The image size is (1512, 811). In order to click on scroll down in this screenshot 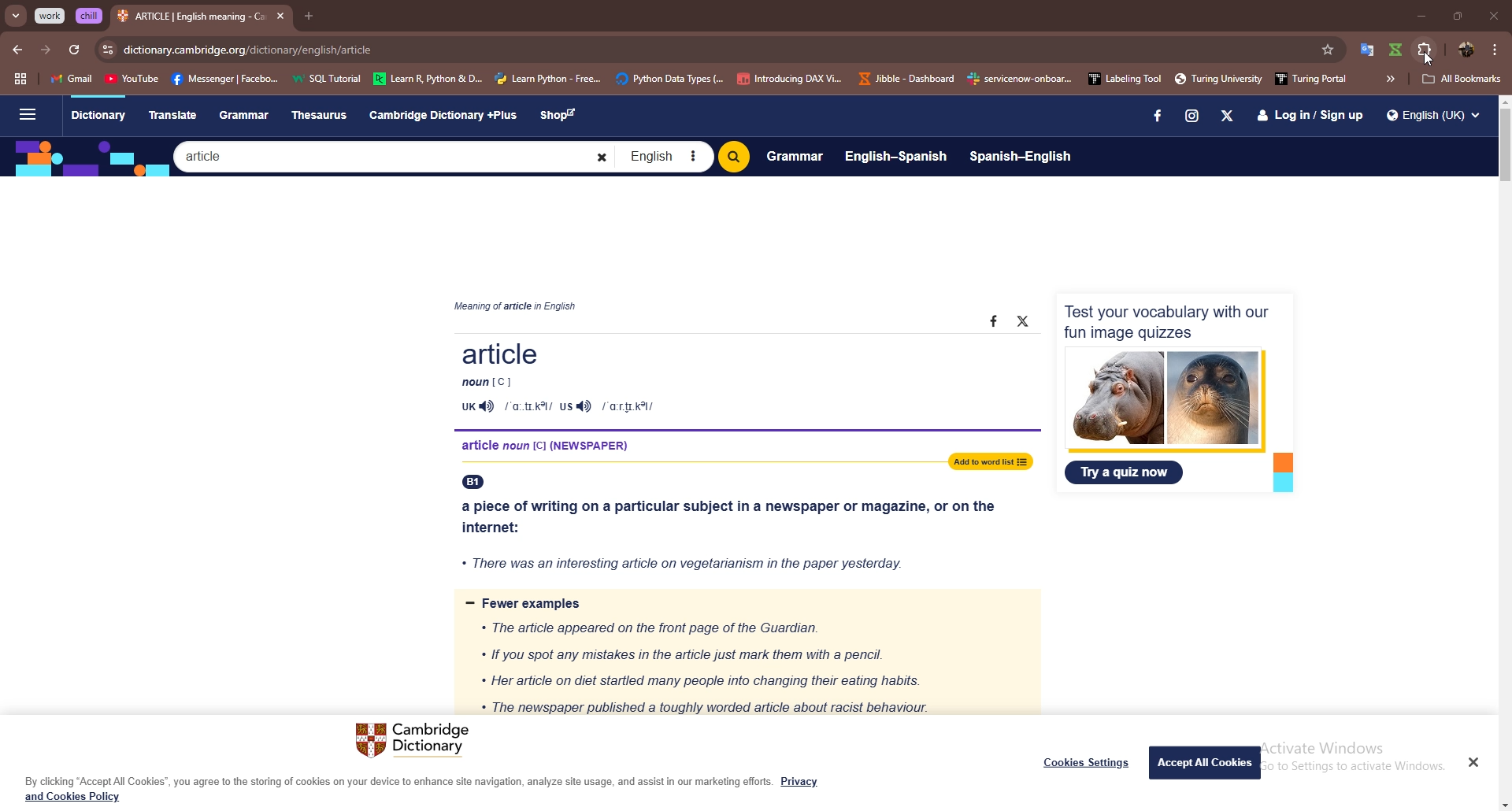, I will do `click(1503, 805)`.